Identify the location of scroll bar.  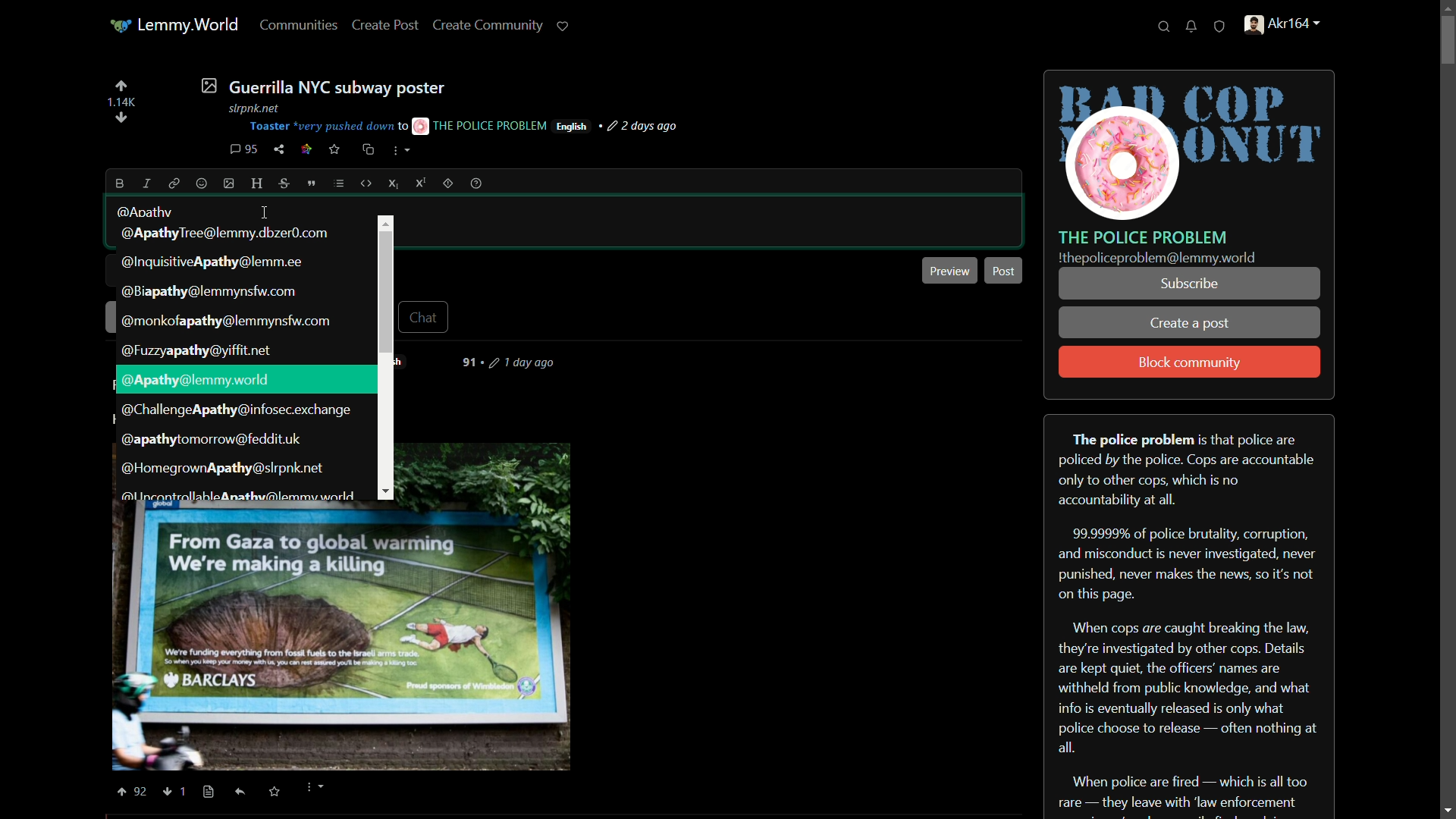
(1444, 409).